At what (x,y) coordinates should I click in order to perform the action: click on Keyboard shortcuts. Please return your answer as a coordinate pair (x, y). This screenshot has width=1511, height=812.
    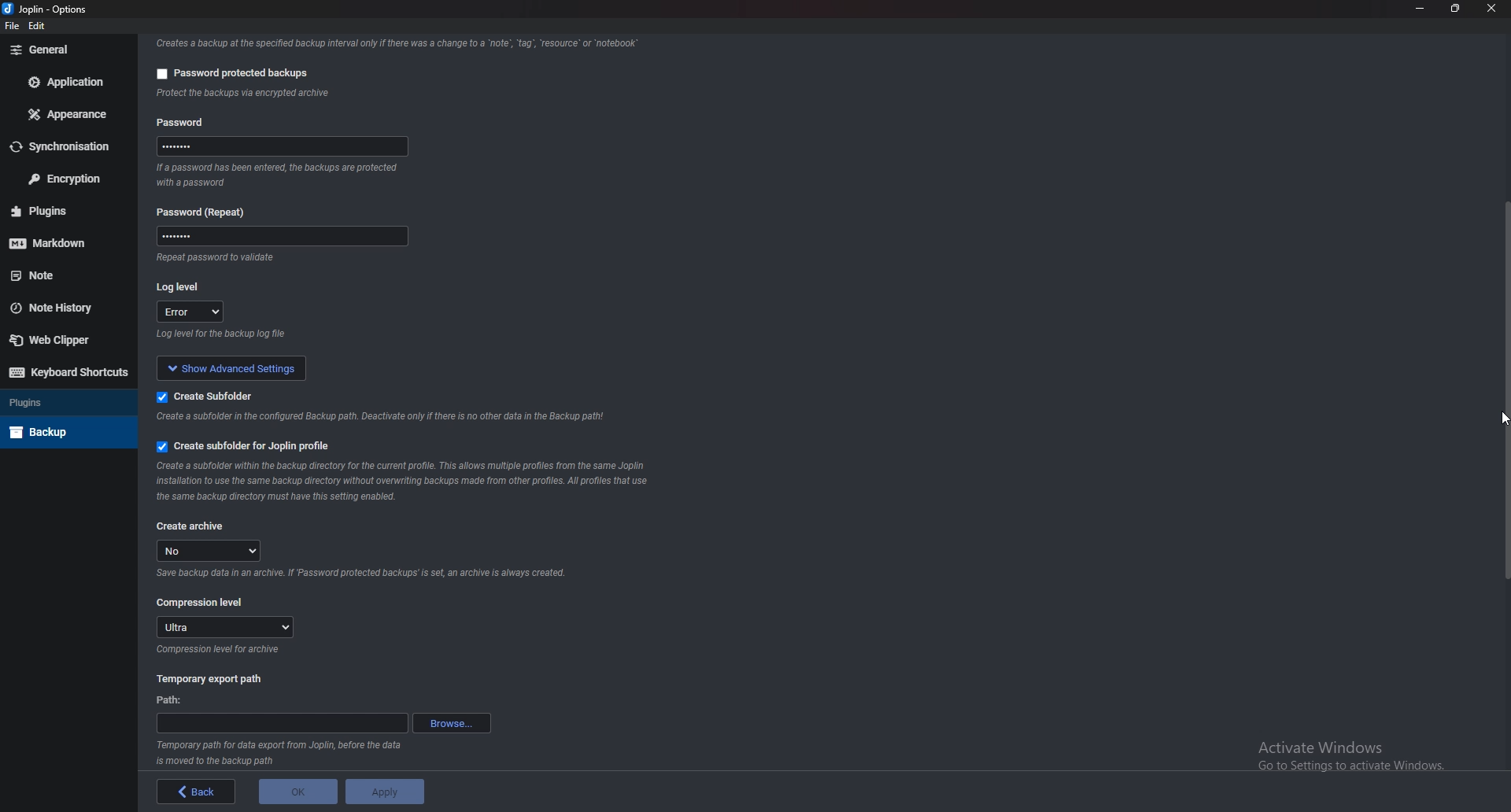
    Looking at the image, I should click on (65, 373).